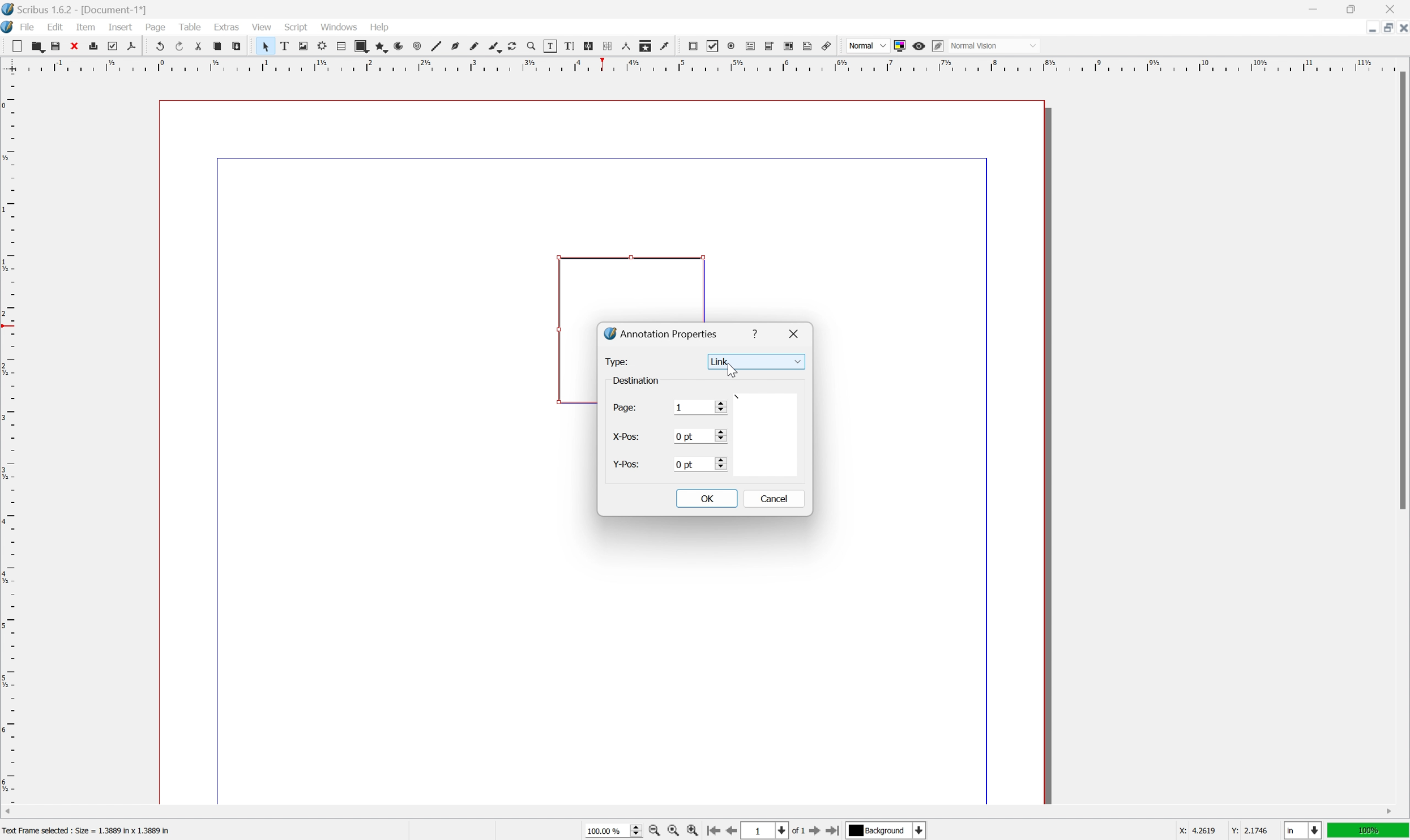 This screenshot has height=840, width=1410. Describe the element at coordinates (627, 438) in the screenshot. I see `X-pos:` at that location.